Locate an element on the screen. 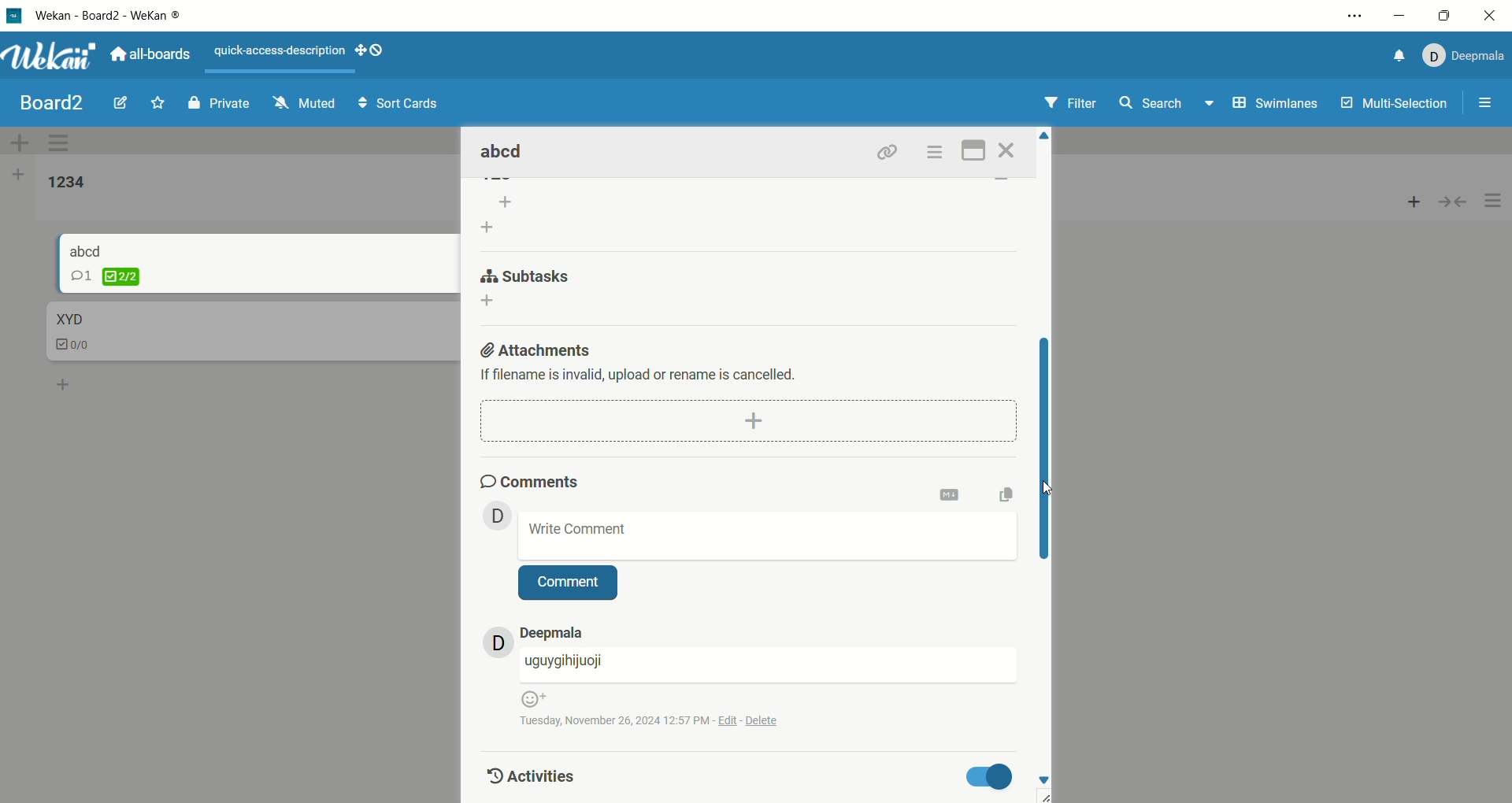 The image size is (1512, 803). all boards is located at coordinates (150, 53).